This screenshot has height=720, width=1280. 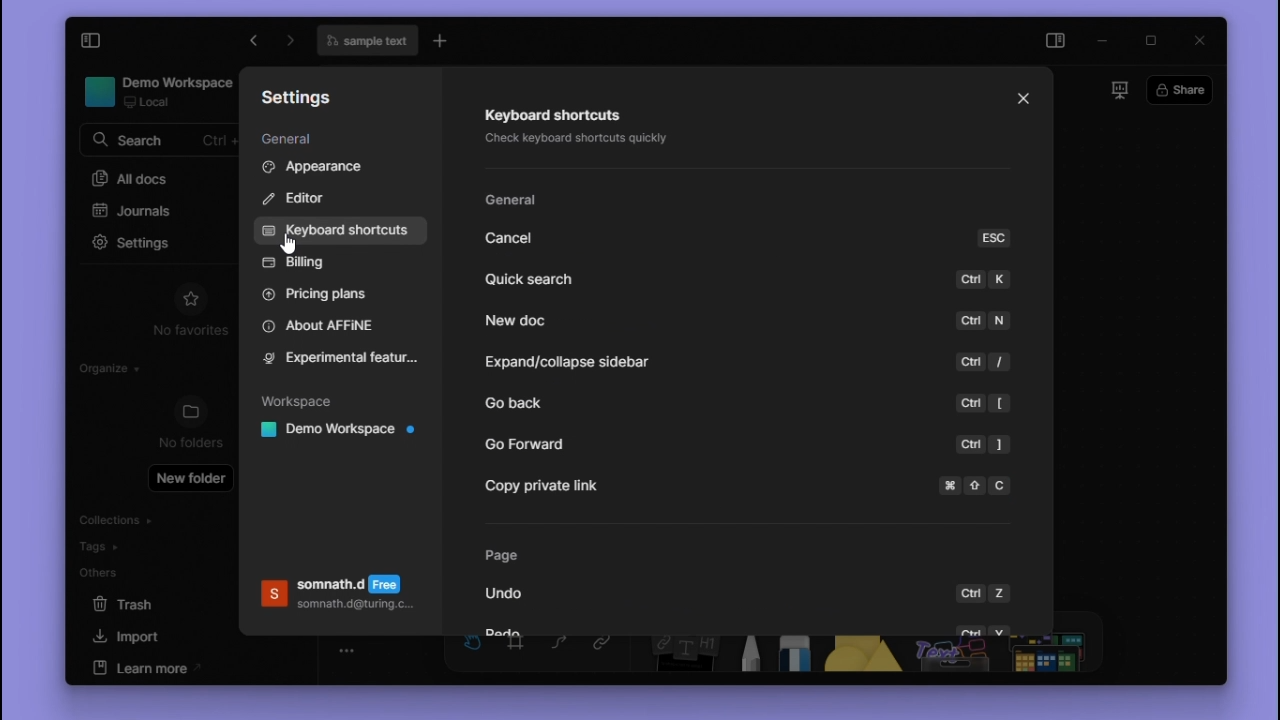 I want to click on Workspace, so click(x=305, y=399).